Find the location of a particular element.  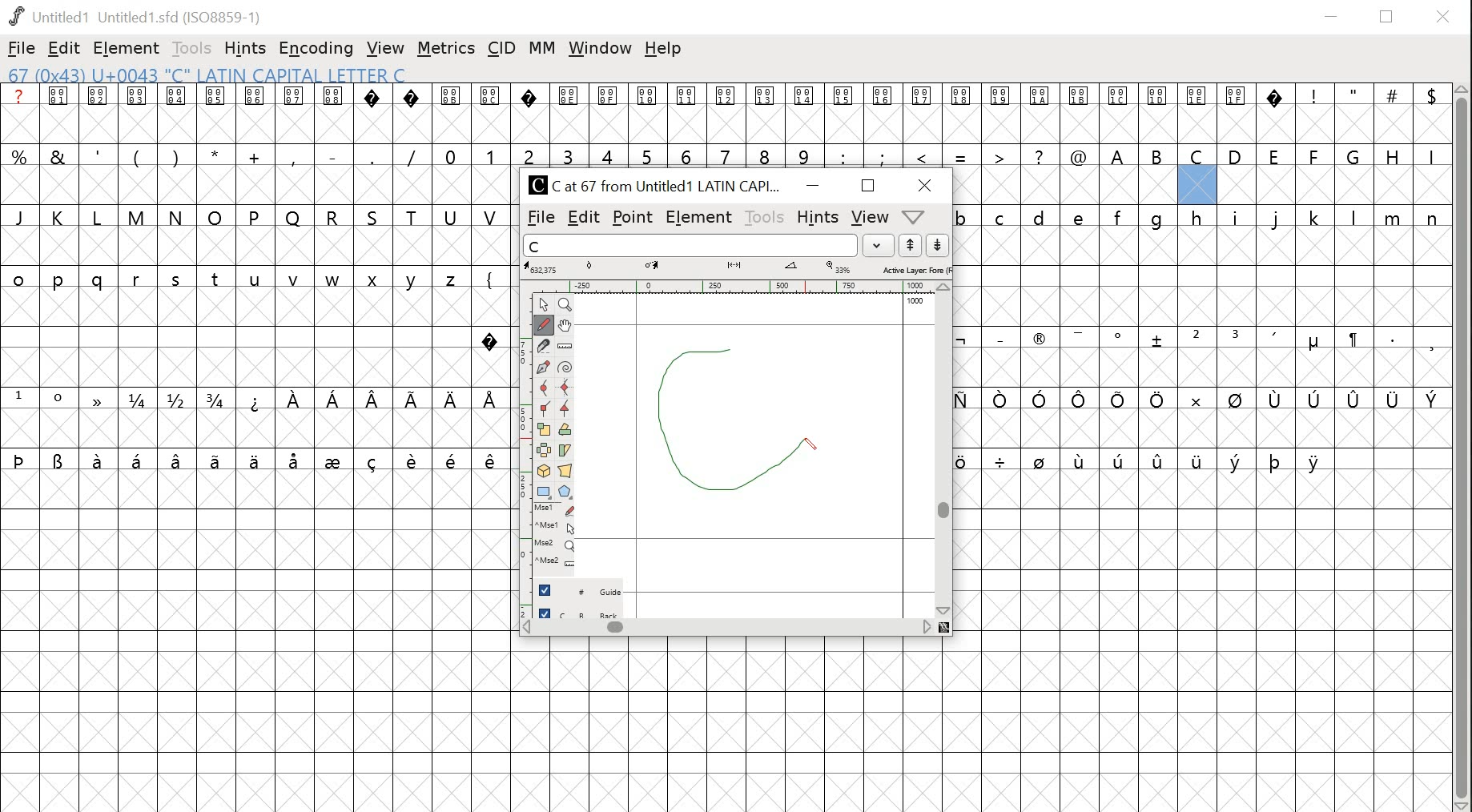

mouse left button is located at coordinates (557, 510).